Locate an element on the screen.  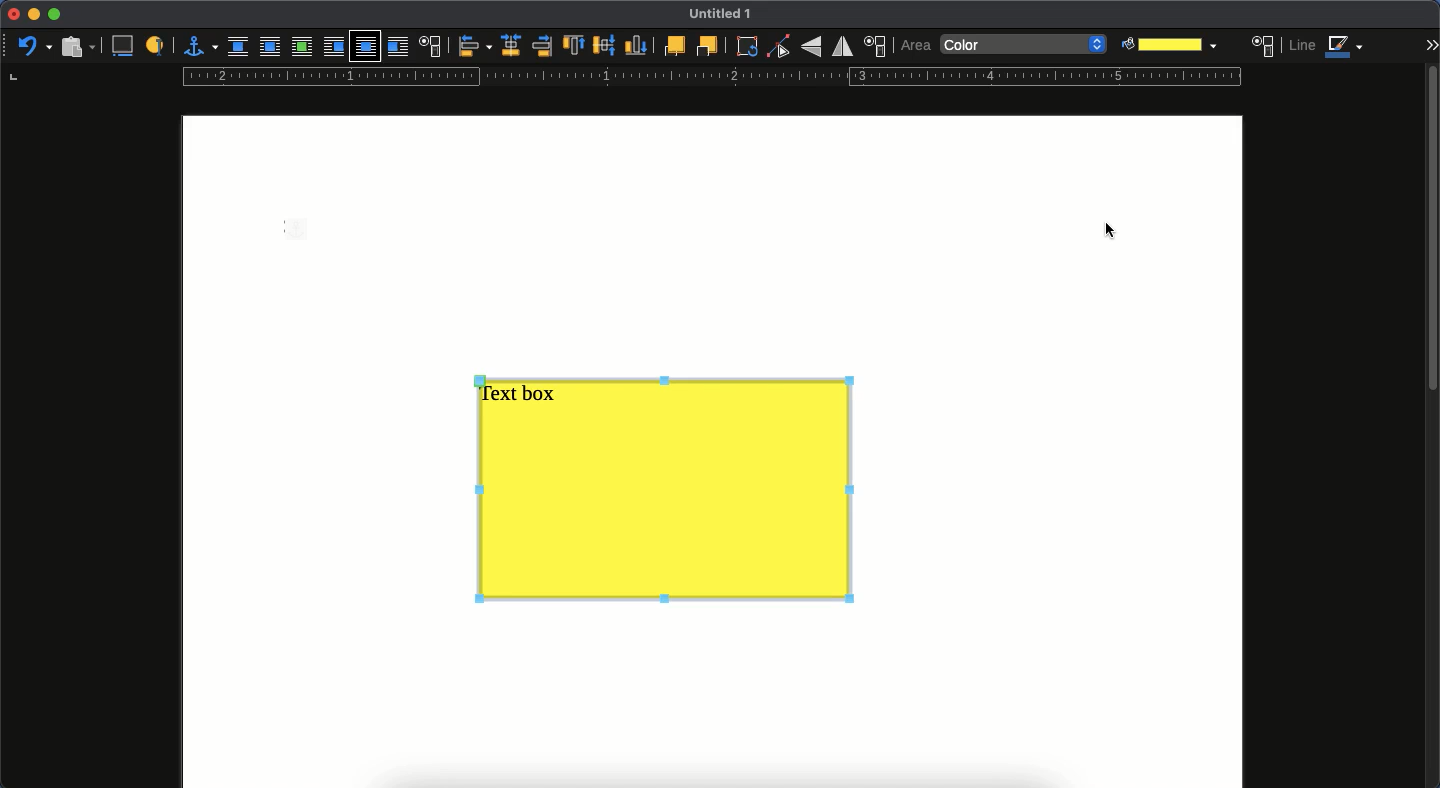
back one is located at coordinates (707, 47).